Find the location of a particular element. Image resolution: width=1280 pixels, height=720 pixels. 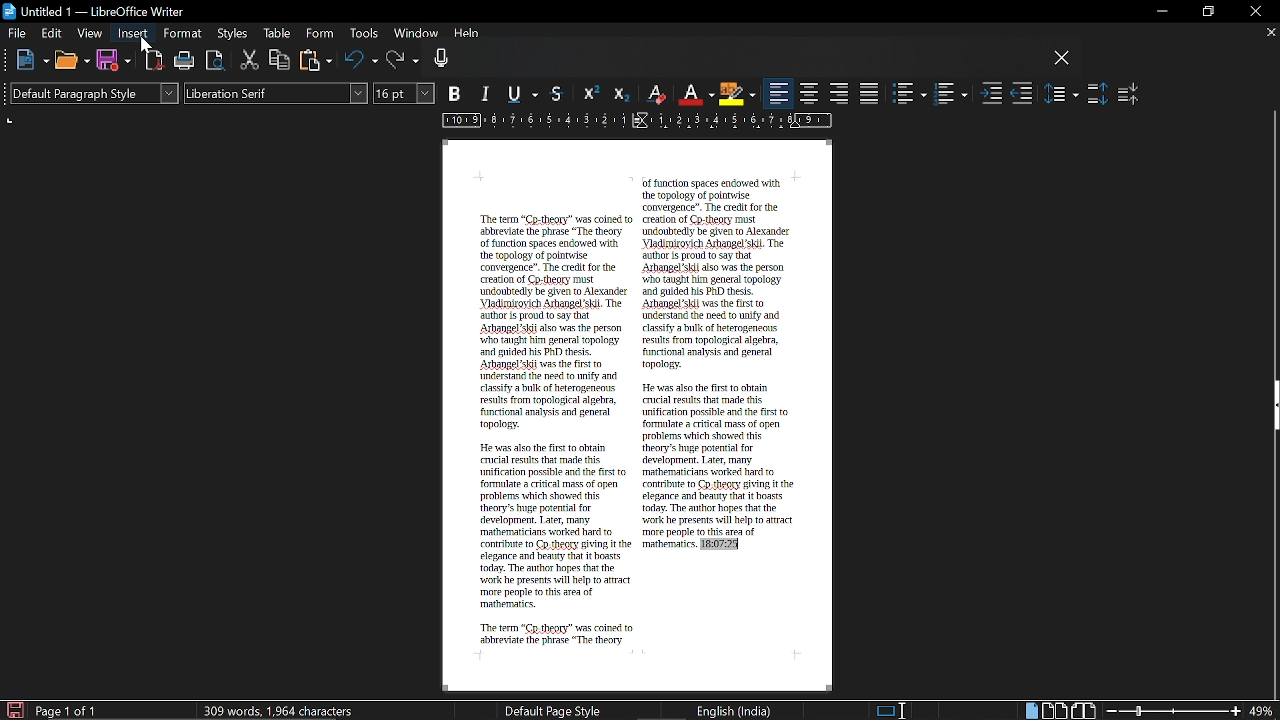

Copy is located at coordinates (280, 59).